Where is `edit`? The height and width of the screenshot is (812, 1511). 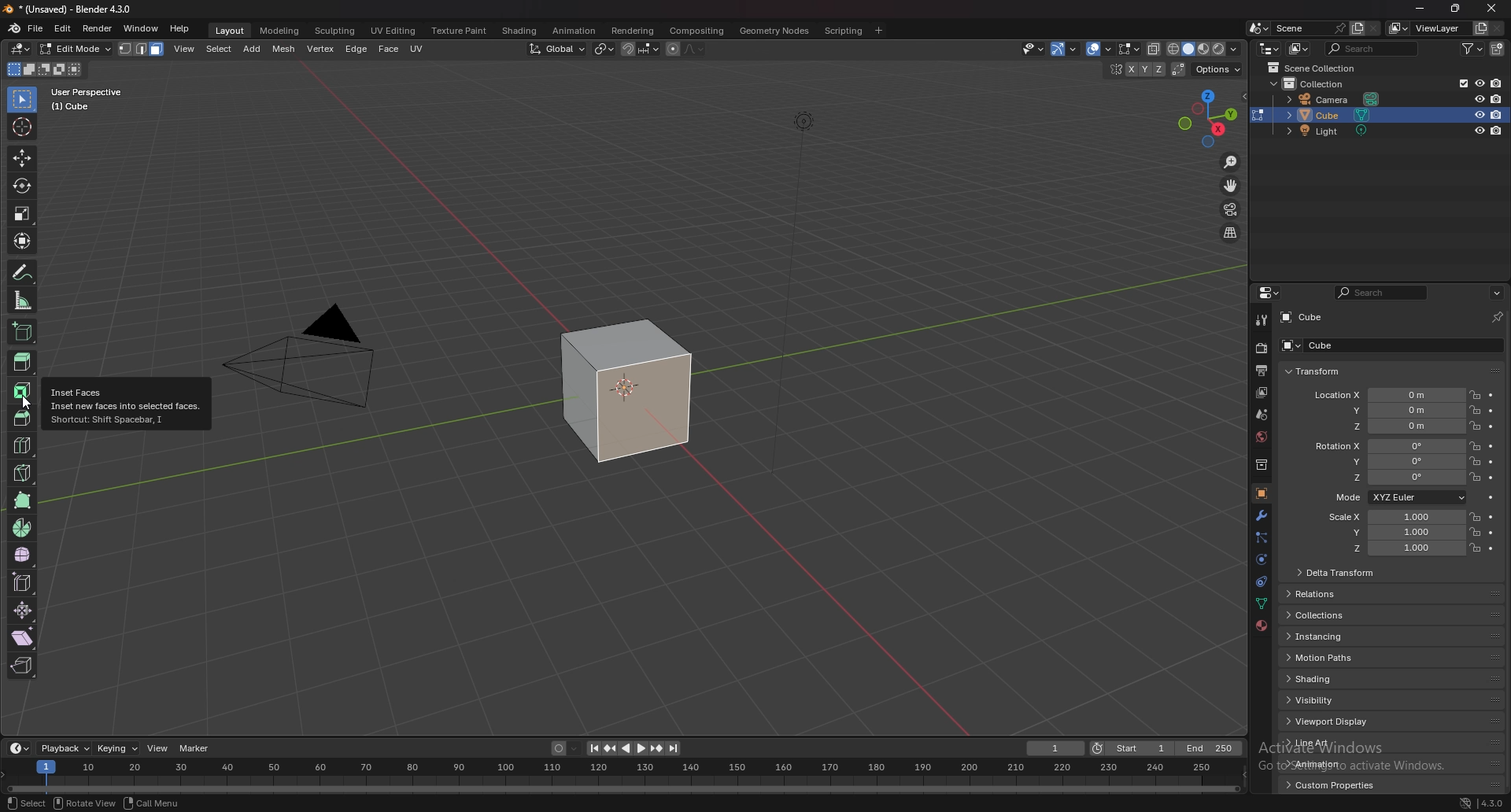 edit is located at coordinates (64, 28).